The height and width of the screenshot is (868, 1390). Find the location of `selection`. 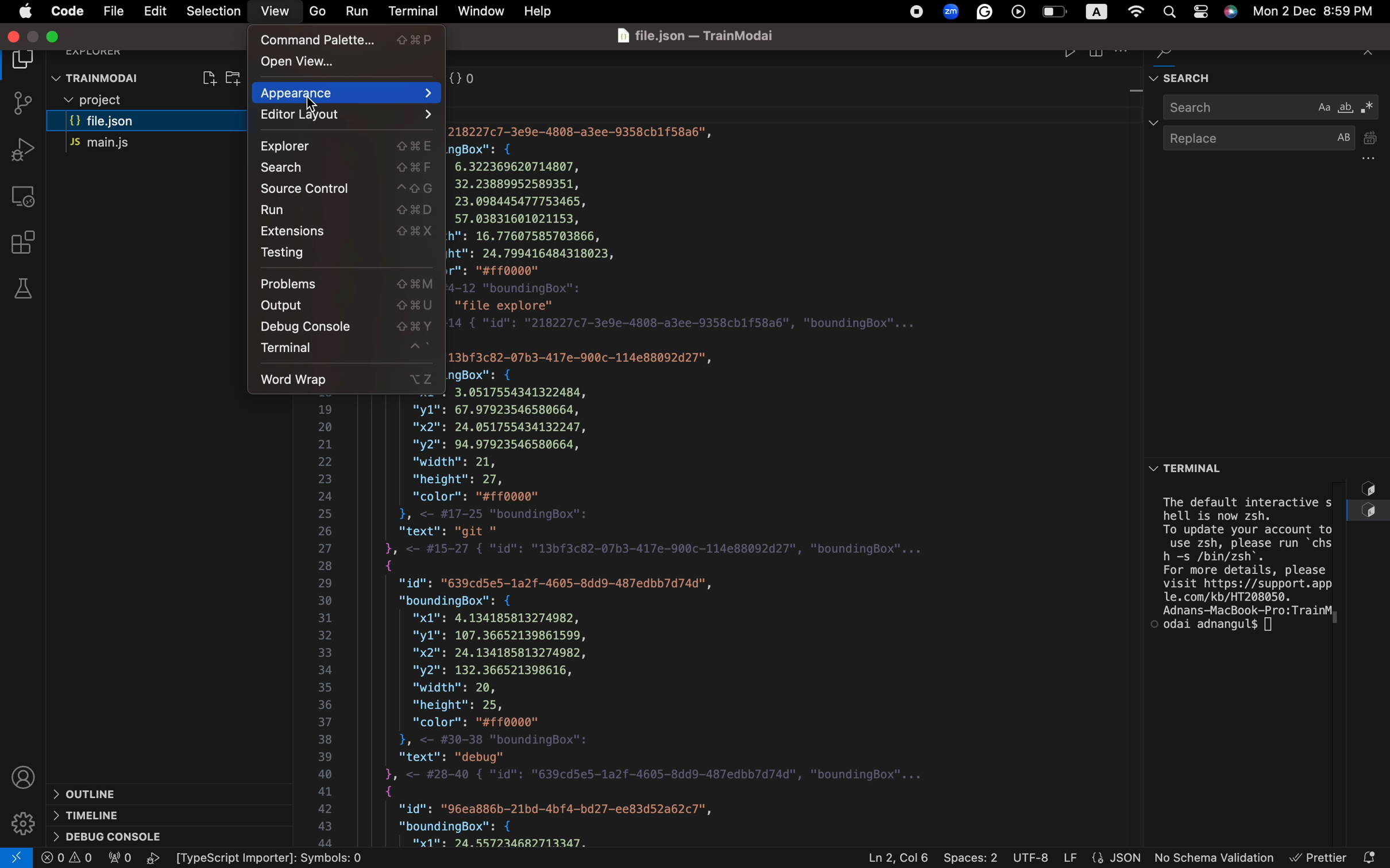

selection is located at coordinates (209, 11).